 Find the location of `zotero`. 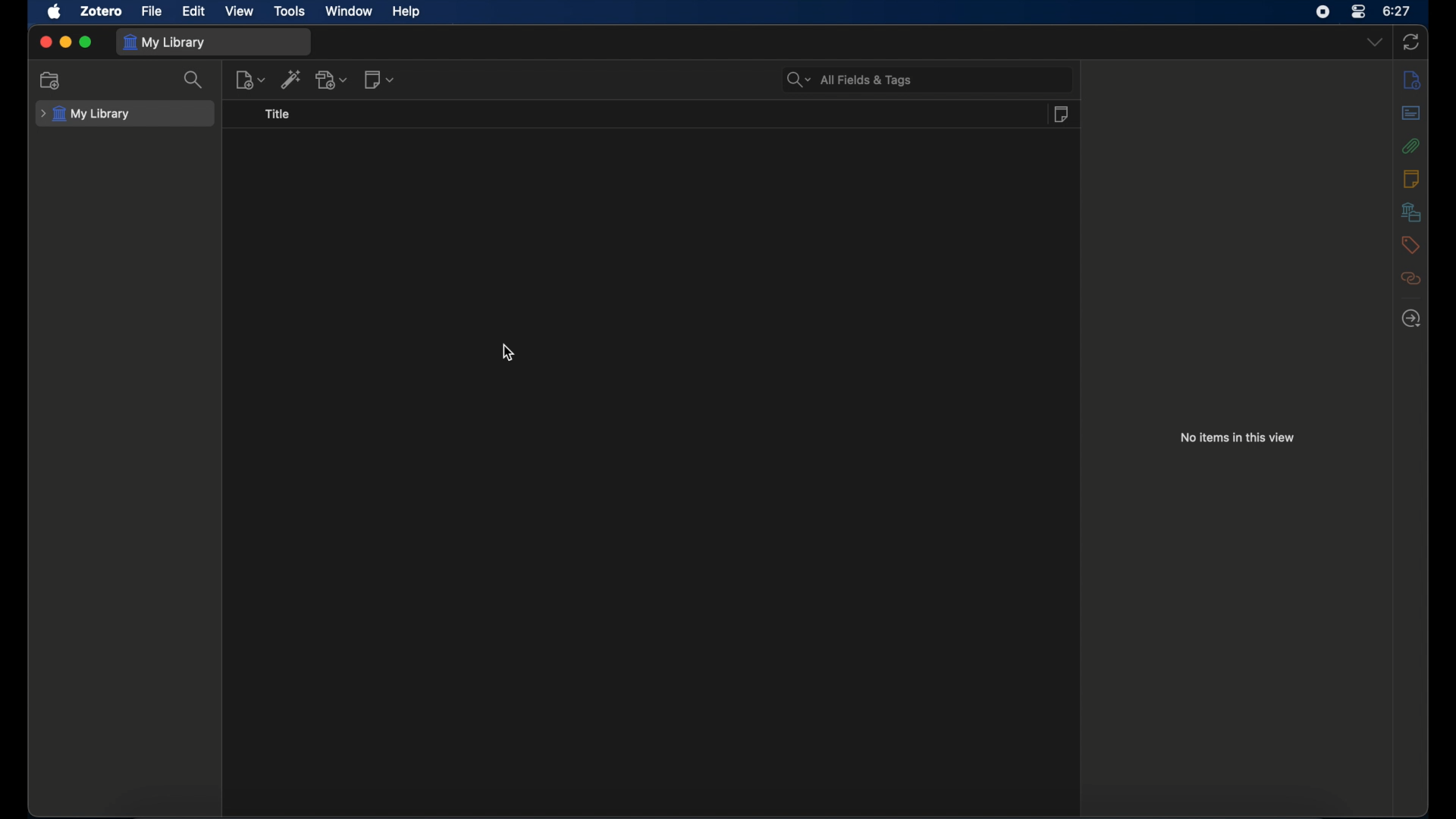

zotero is located at coordinates (102, 11).